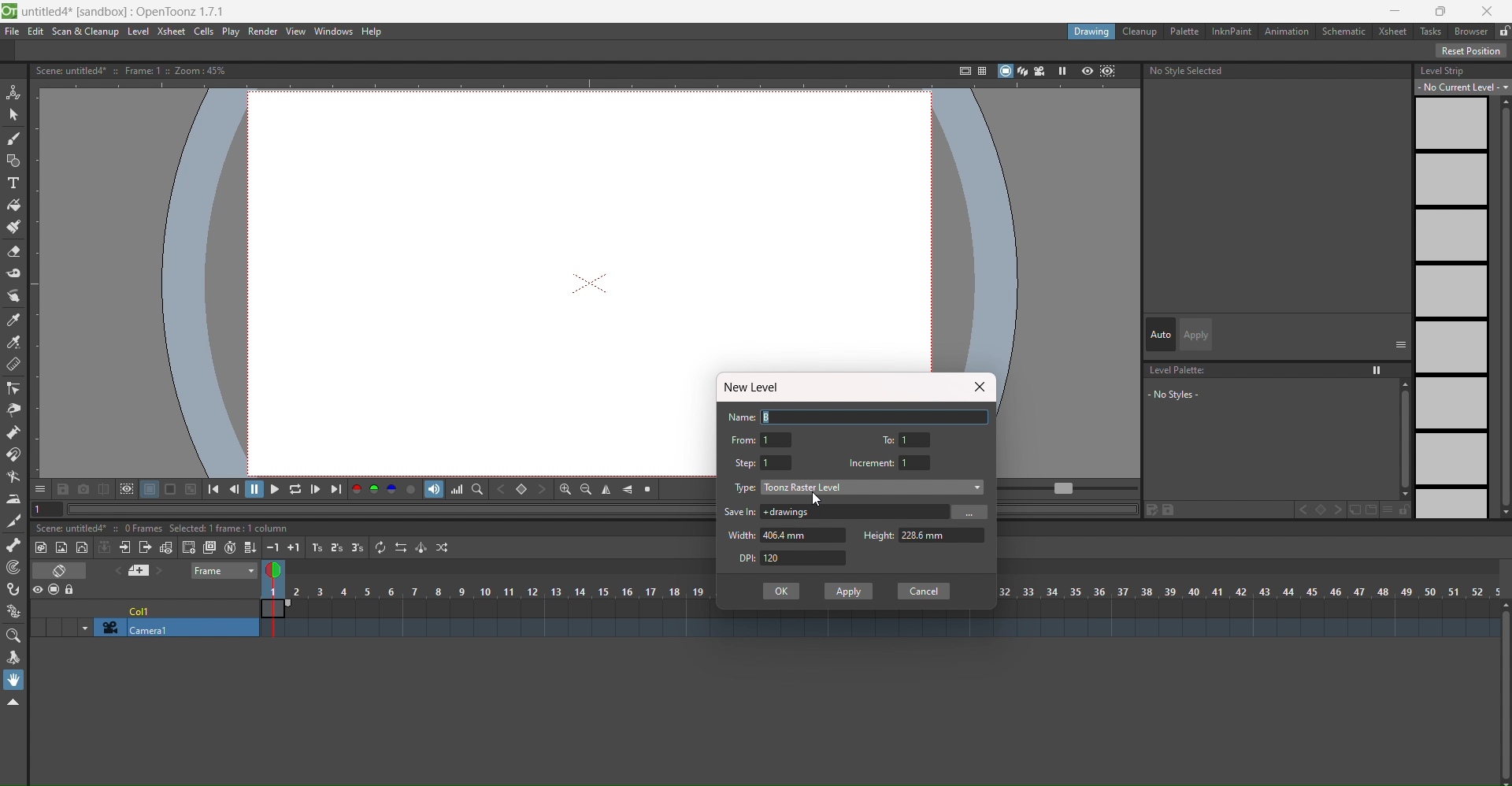 This screenshot has width=1512, height=786. I want to click on soundtrack, so click(434, 489).